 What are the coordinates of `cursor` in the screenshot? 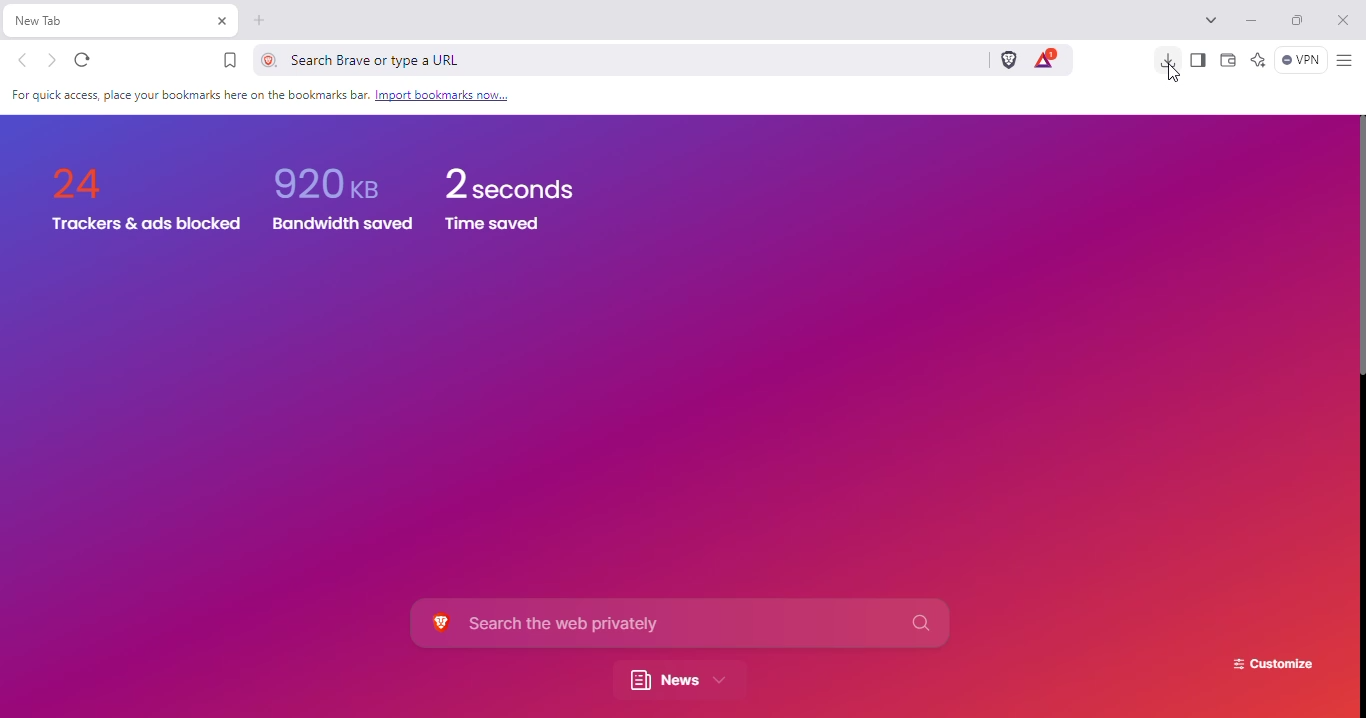 It's located at (1173, 75).